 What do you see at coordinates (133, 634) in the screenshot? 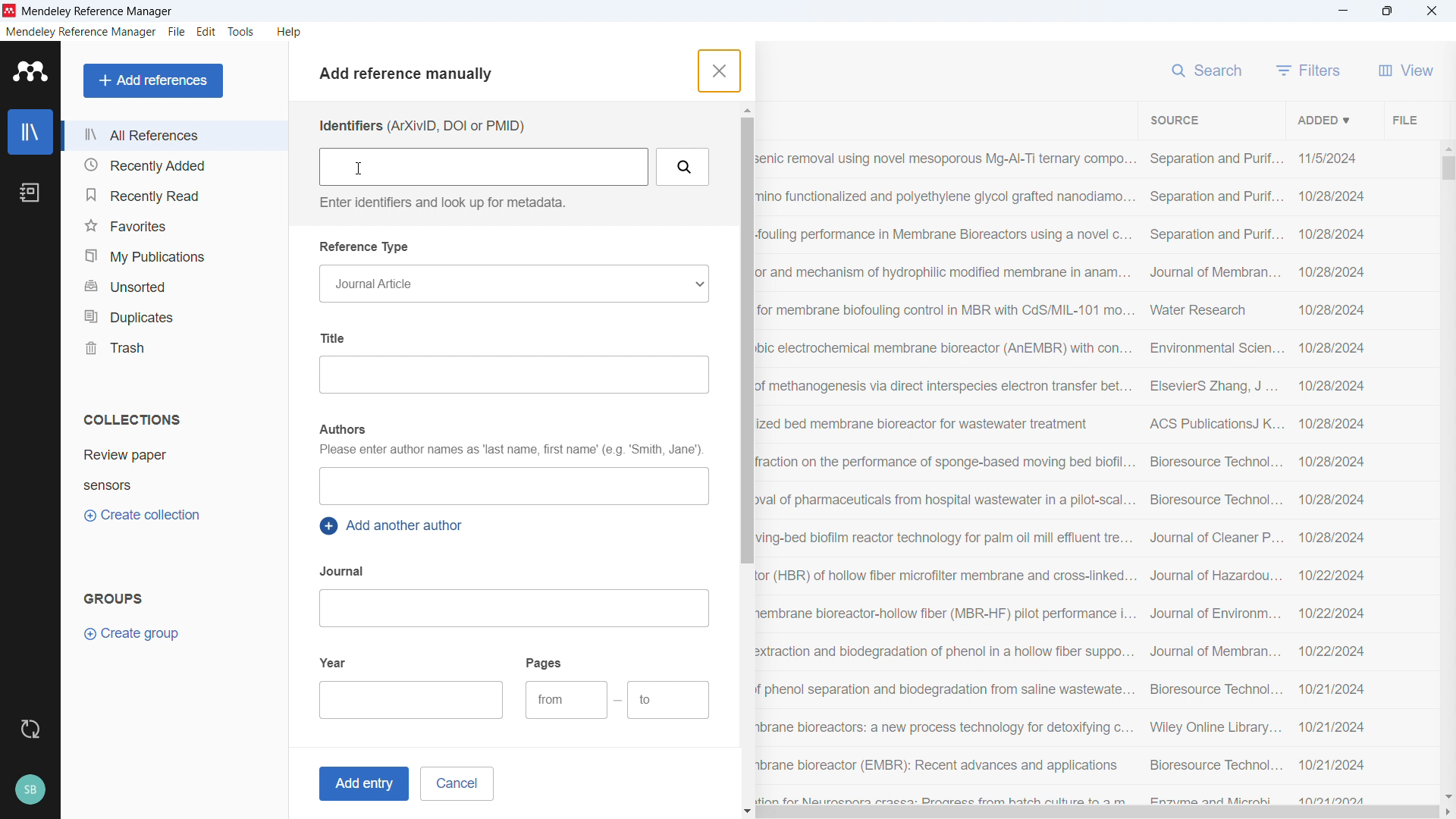
I see `Create group ` at bounding box center [133, 634].